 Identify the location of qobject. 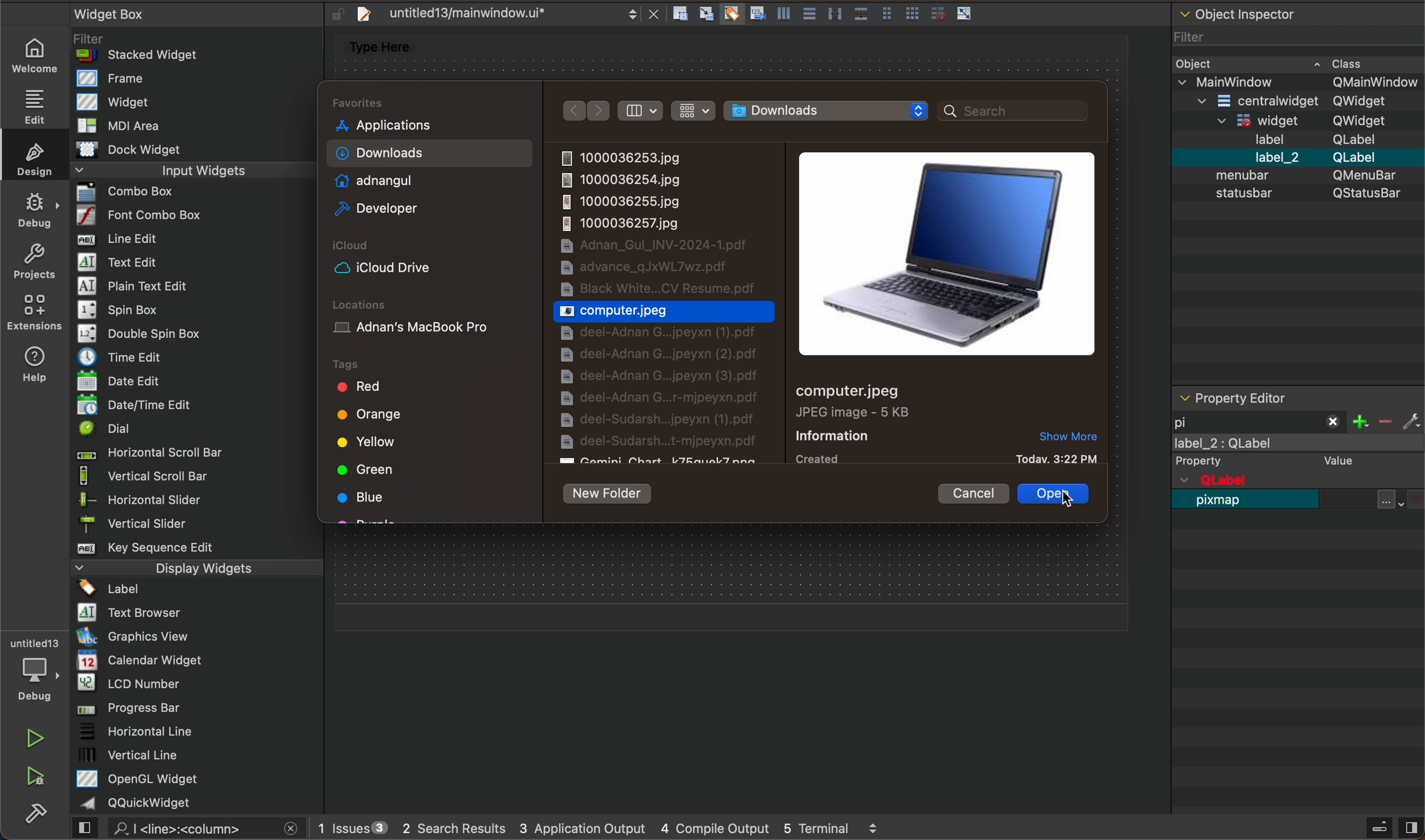
(1284, 480).